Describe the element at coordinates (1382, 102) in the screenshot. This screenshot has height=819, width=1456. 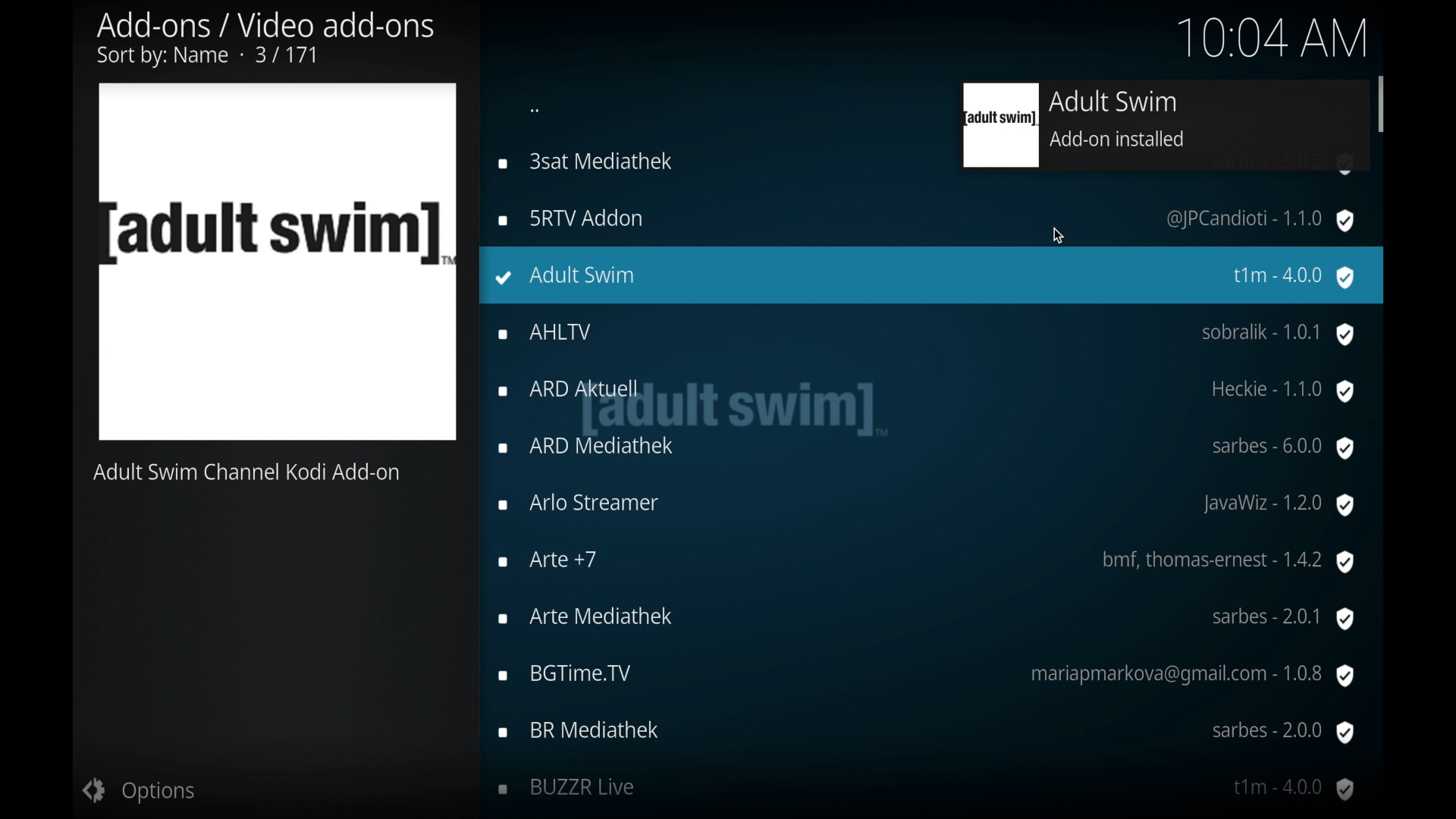
I see `scroll box` at that location.